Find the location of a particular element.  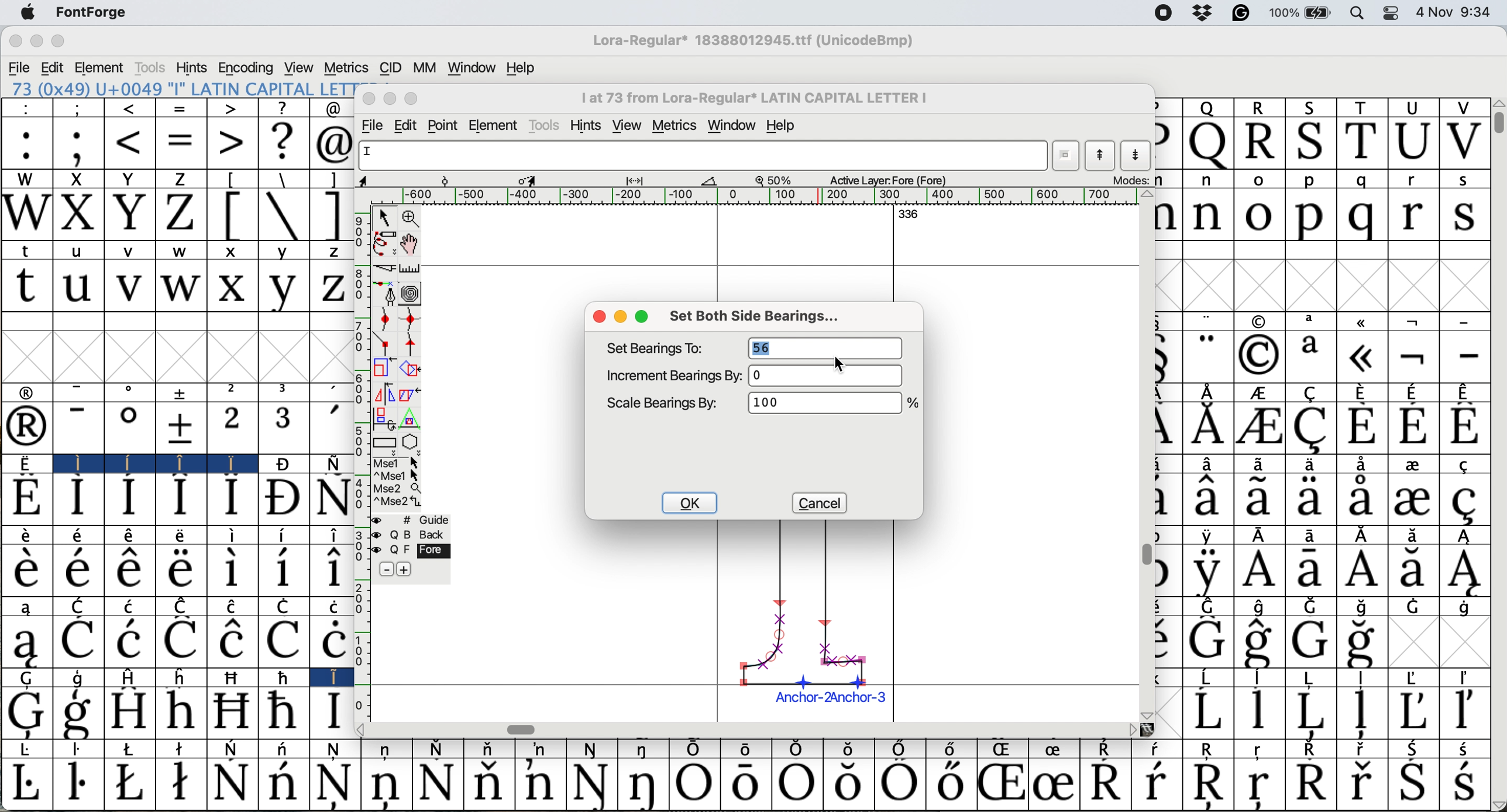

Symbol is located at coordinates (1364, 749).